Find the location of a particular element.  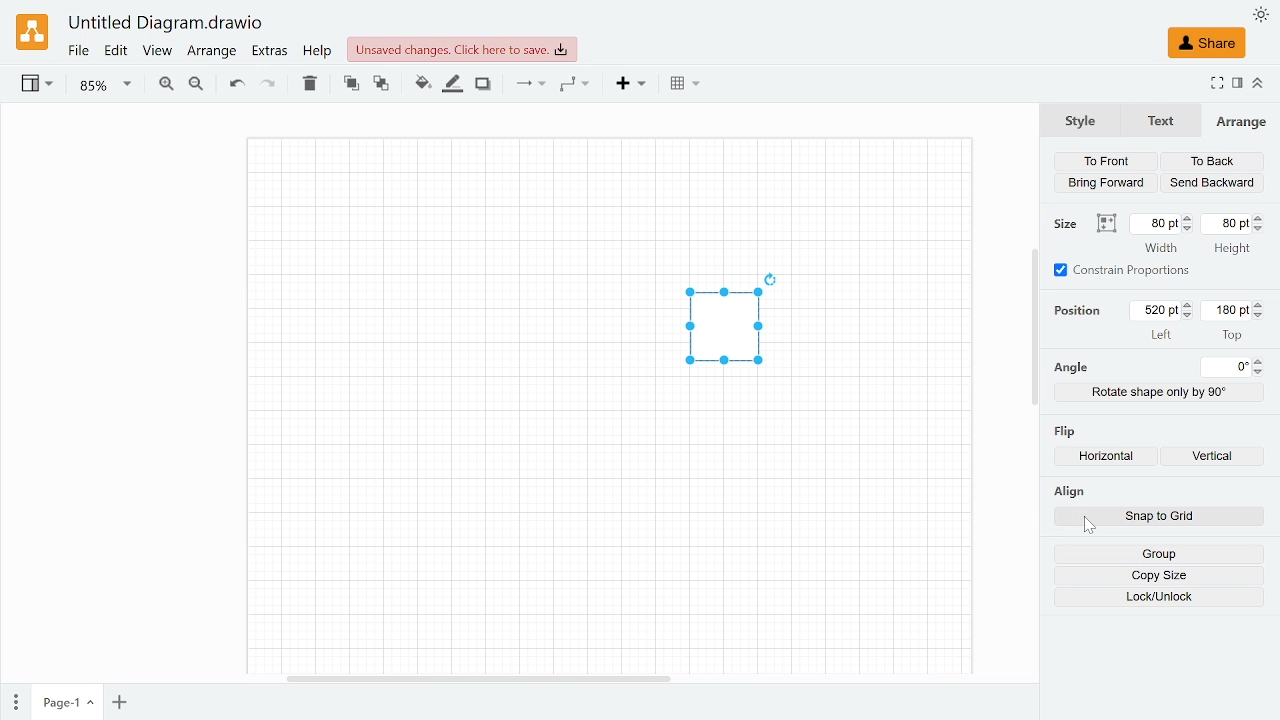

Waypoints is located at coordinates (575, 85).